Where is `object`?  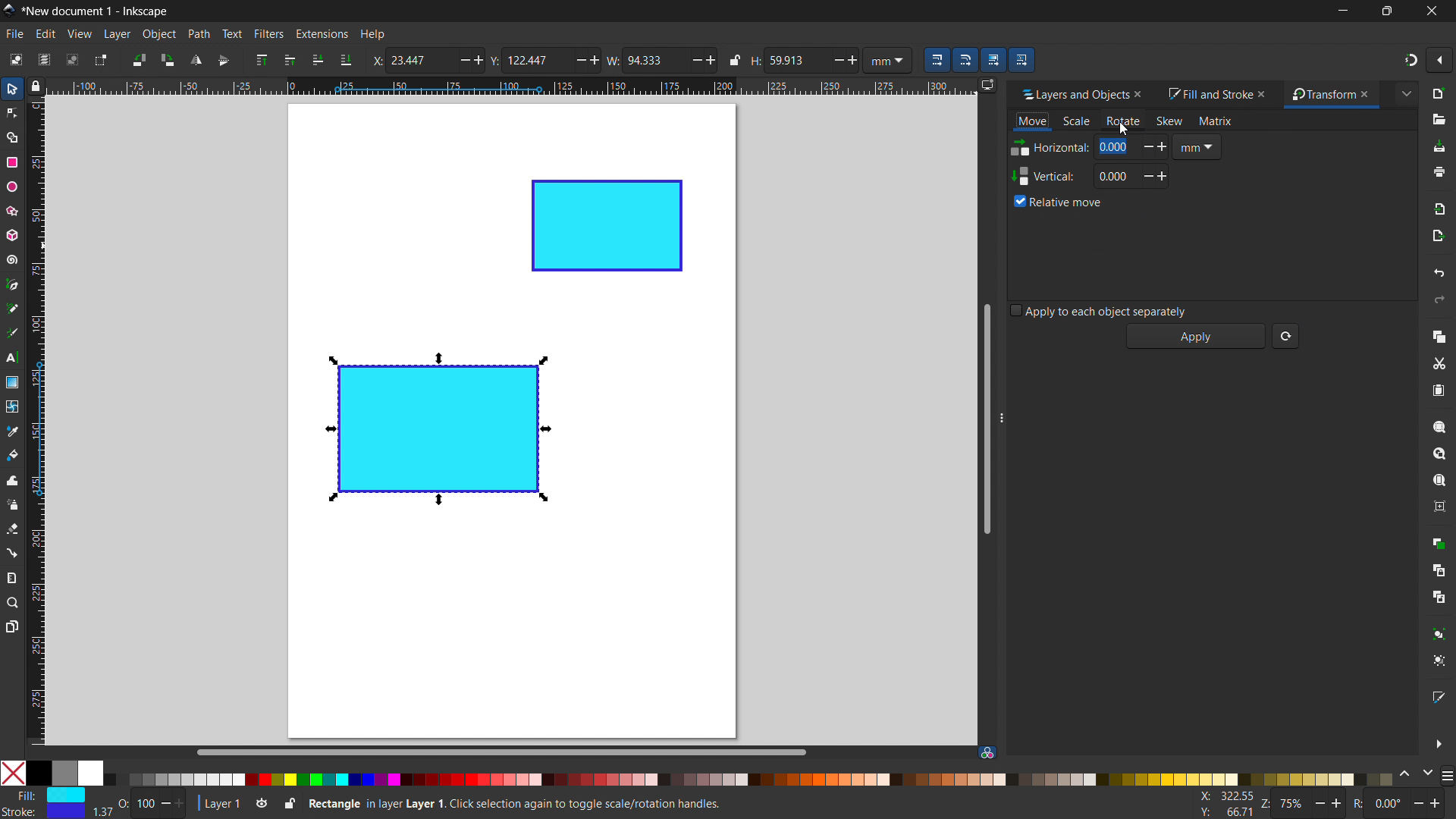
object is located at coordinates (159, 34).